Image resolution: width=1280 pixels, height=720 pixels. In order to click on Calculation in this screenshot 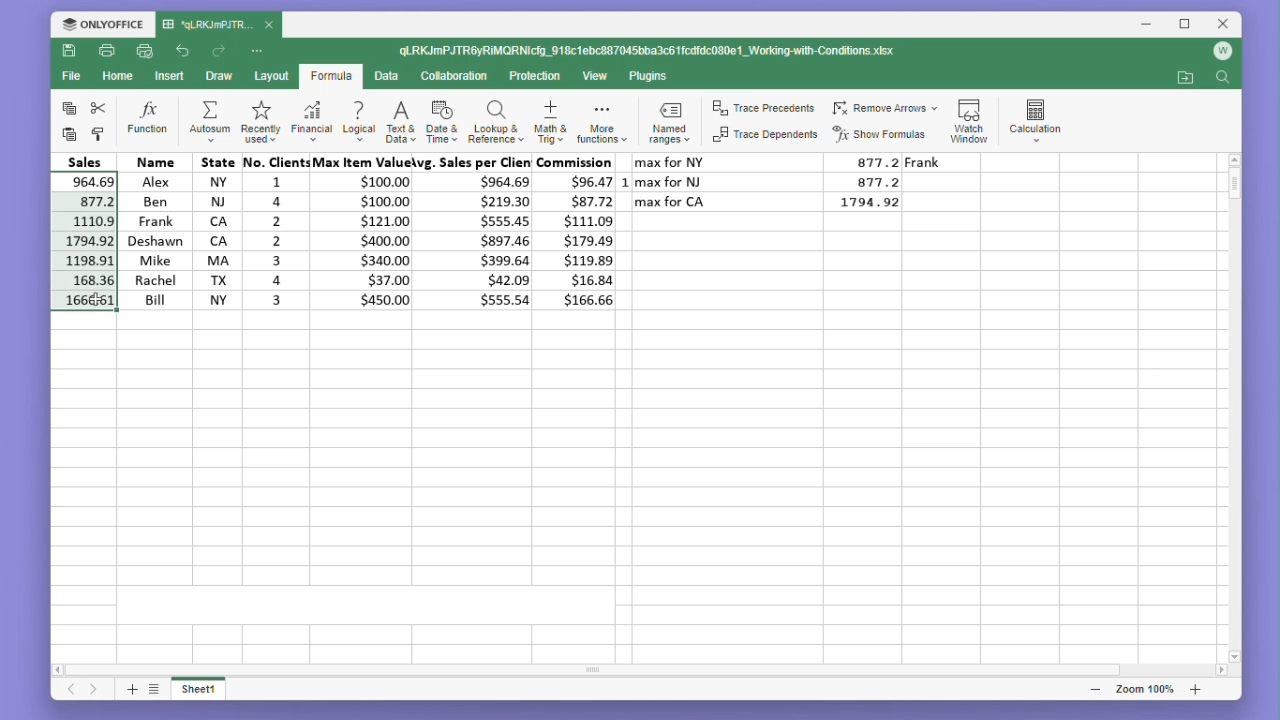, I will do `click(1036, 117)`.